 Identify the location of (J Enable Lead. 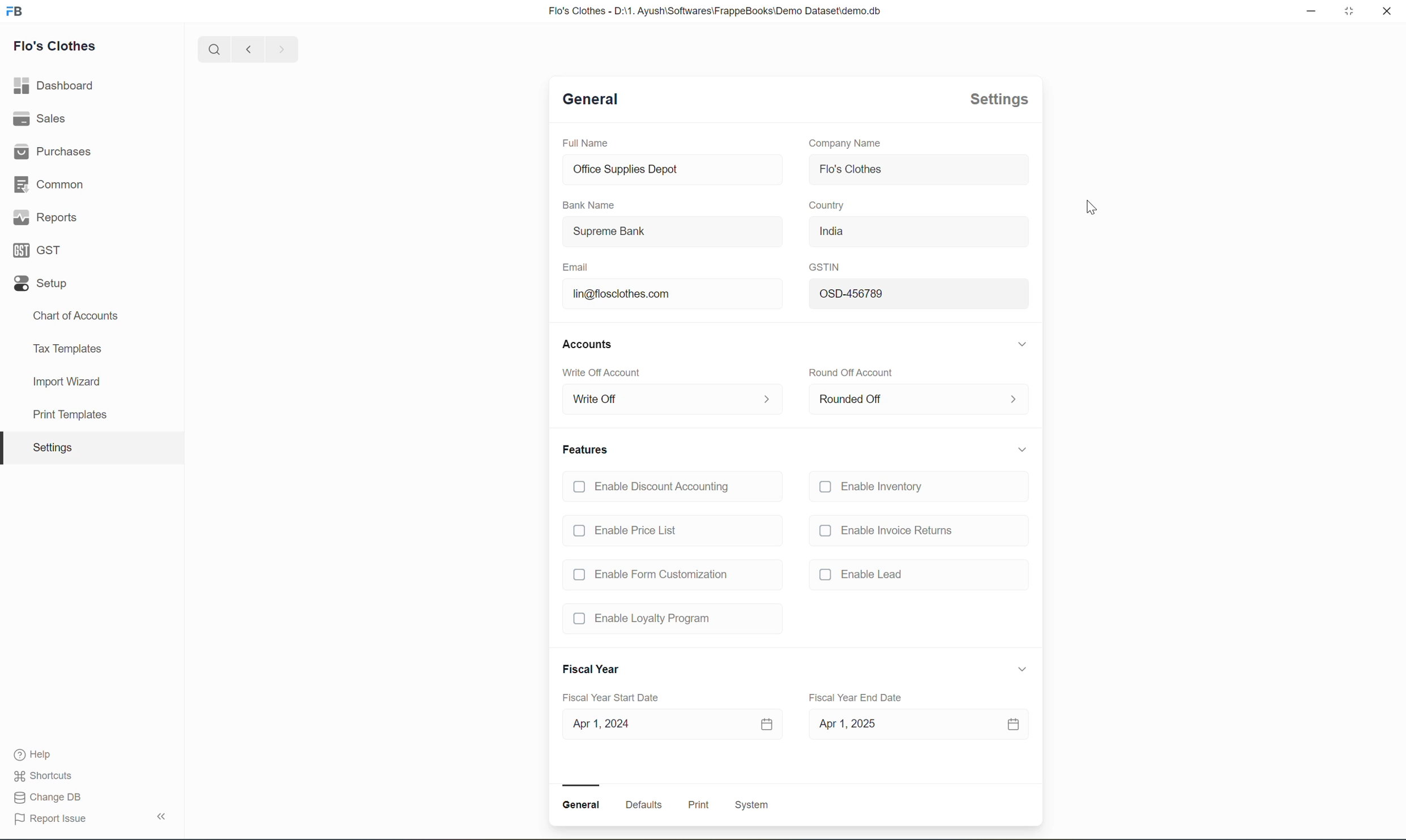
(864, 573).